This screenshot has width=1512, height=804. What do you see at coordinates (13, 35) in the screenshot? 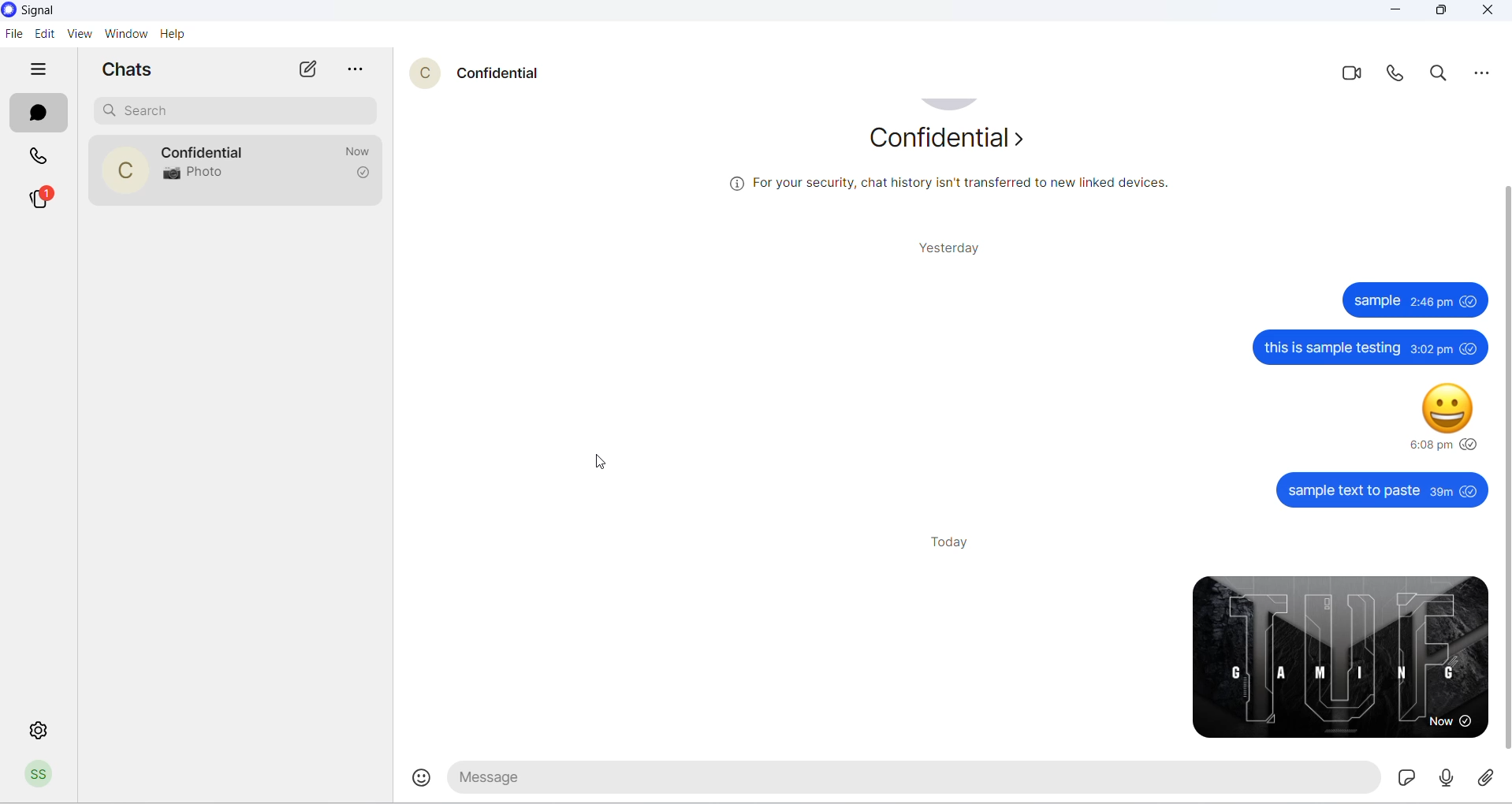
I see `file` at bounding box center [13, 35].